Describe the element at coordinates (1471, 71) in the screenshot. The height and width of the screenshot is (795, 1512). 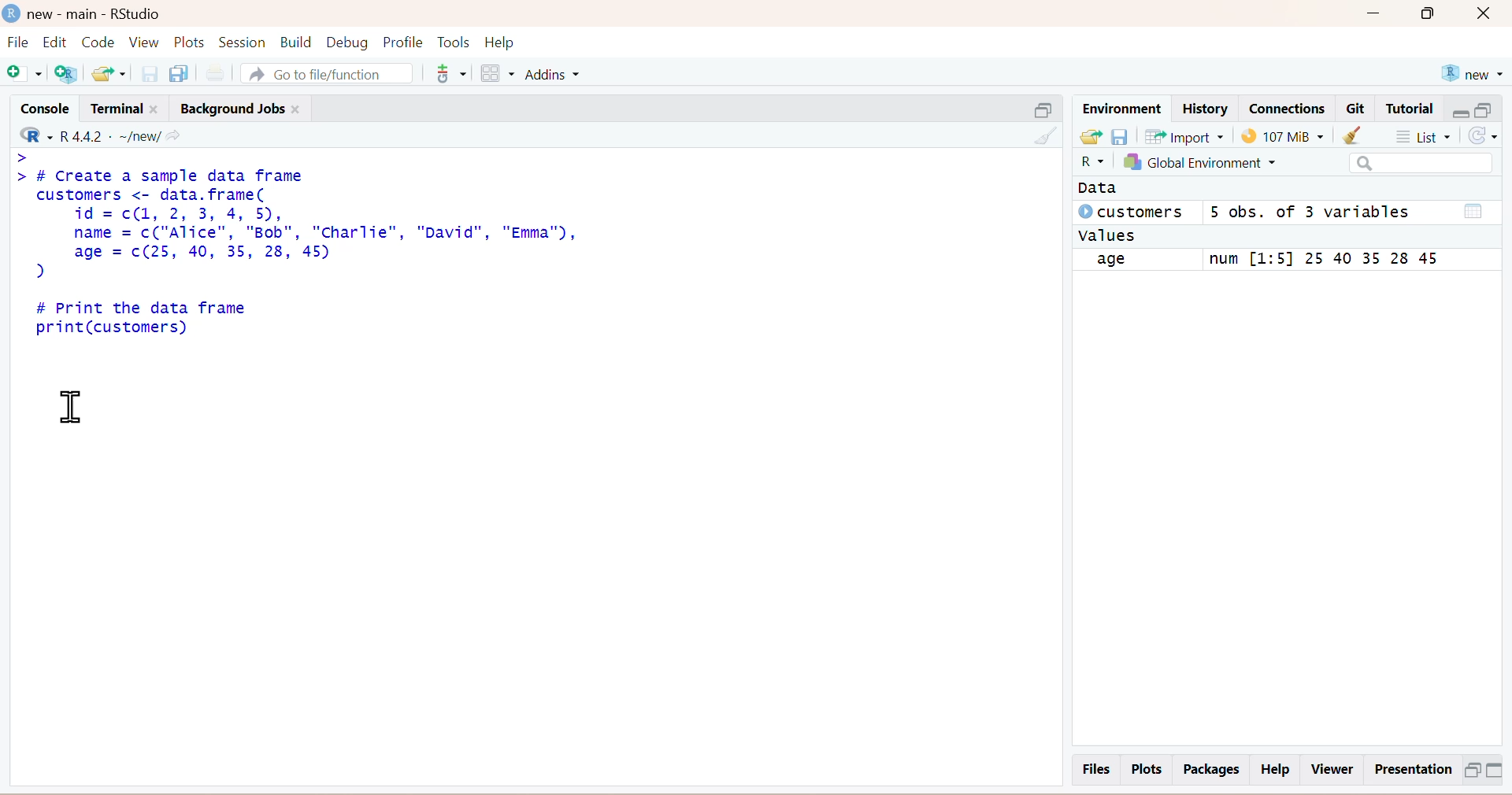
I see `new` at that location.